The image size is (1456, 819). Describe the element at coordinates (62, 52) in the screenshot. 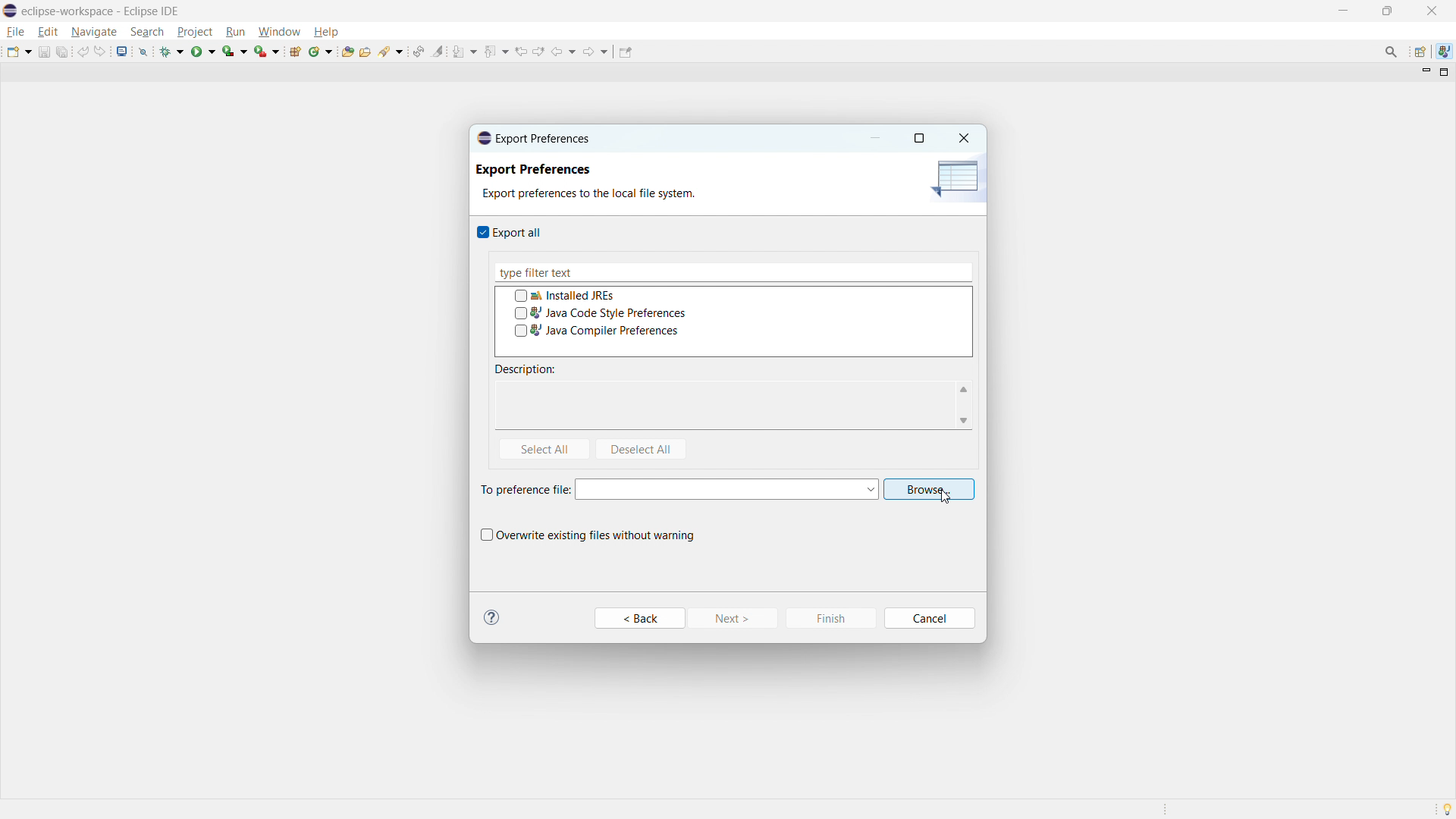

I see `save all` at that location.